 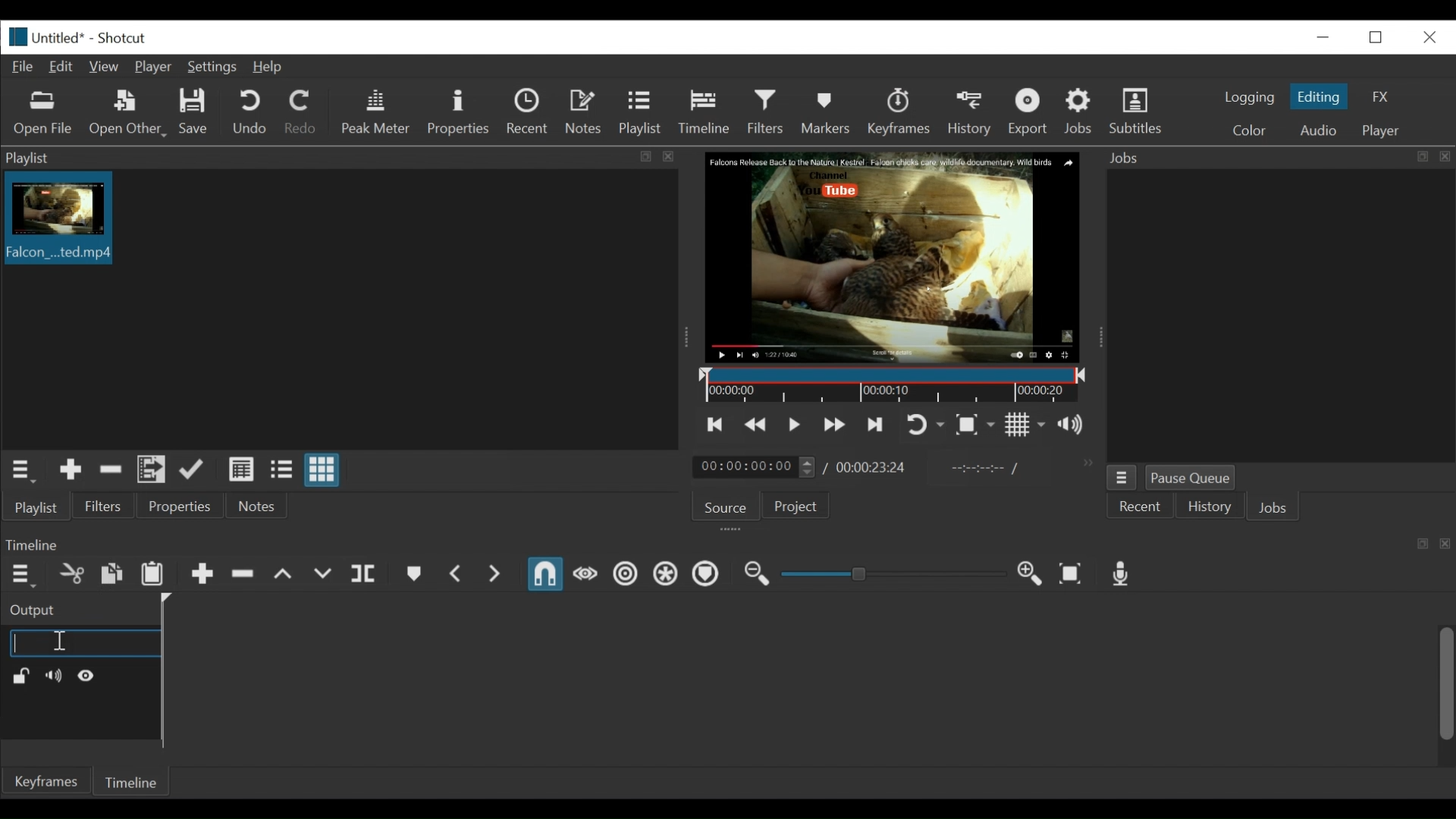 What do you see at coordinates (249, 113) in the screenshot?
I see `Undo` at bounding box center [249, 113].